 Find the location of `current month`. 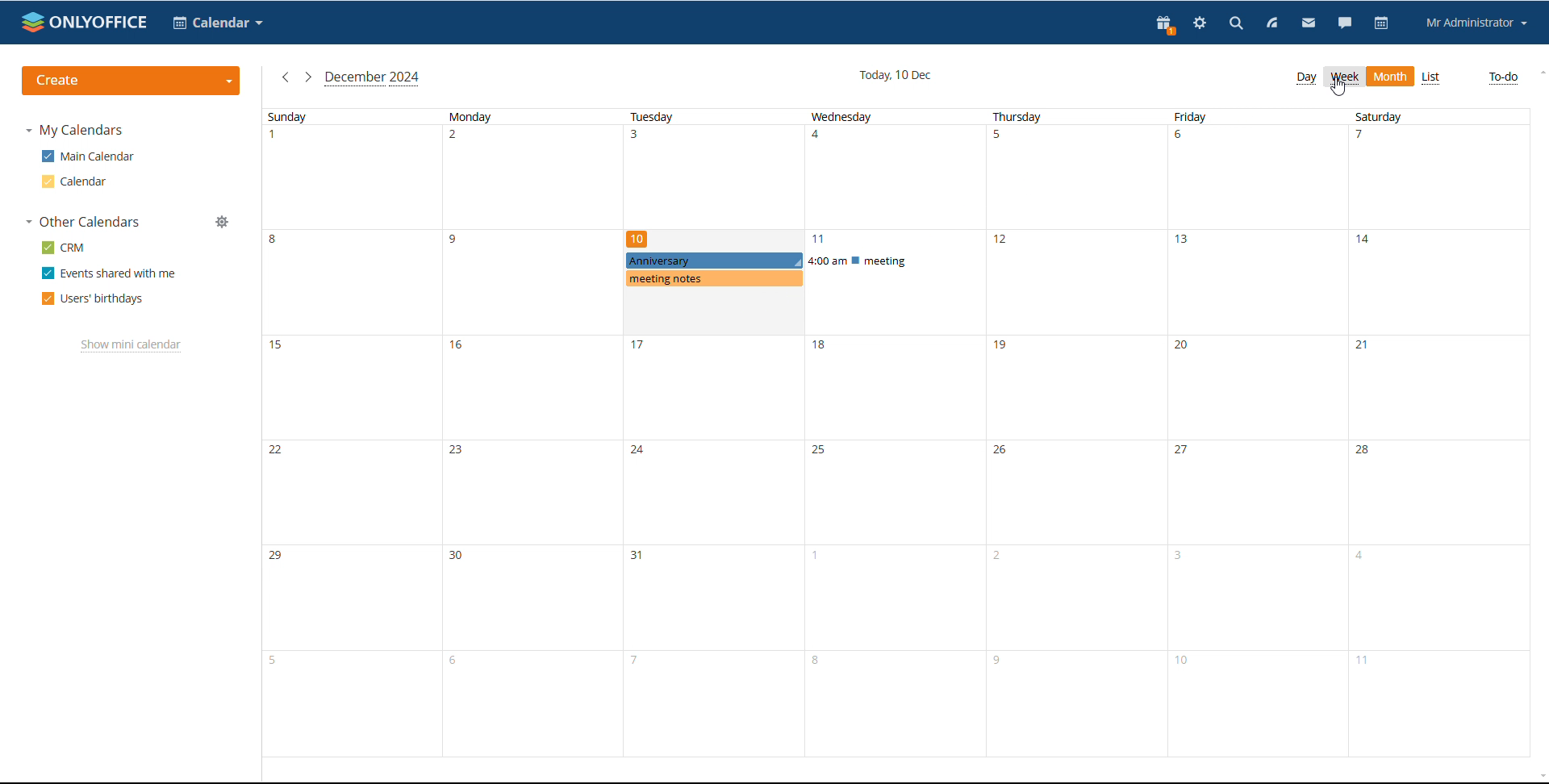

current month is located at coordinates (374, 80).